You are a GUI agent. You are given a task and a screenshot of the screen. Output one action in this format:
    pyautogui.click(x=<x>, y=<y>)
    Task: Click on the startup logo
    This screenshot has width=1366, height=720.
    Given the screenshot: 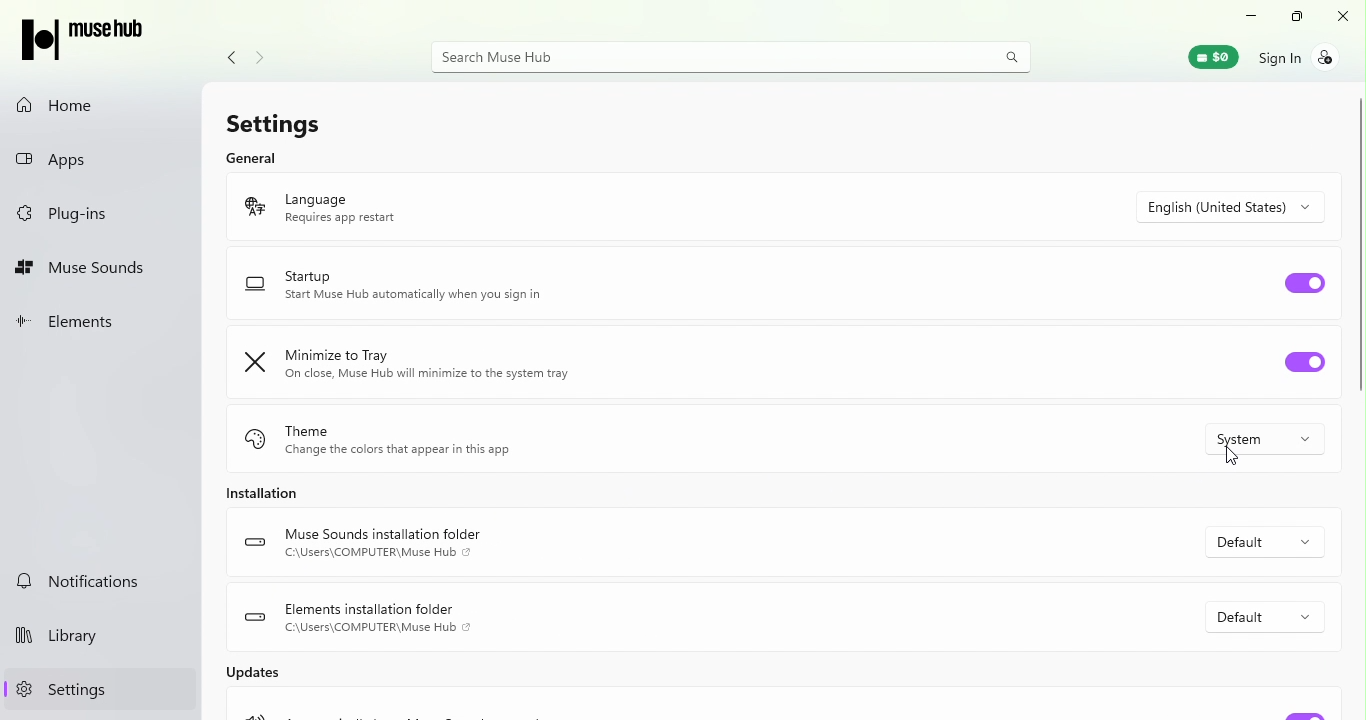 What is the action you would take?
    pyautogui.click(x=256, y=287)
    